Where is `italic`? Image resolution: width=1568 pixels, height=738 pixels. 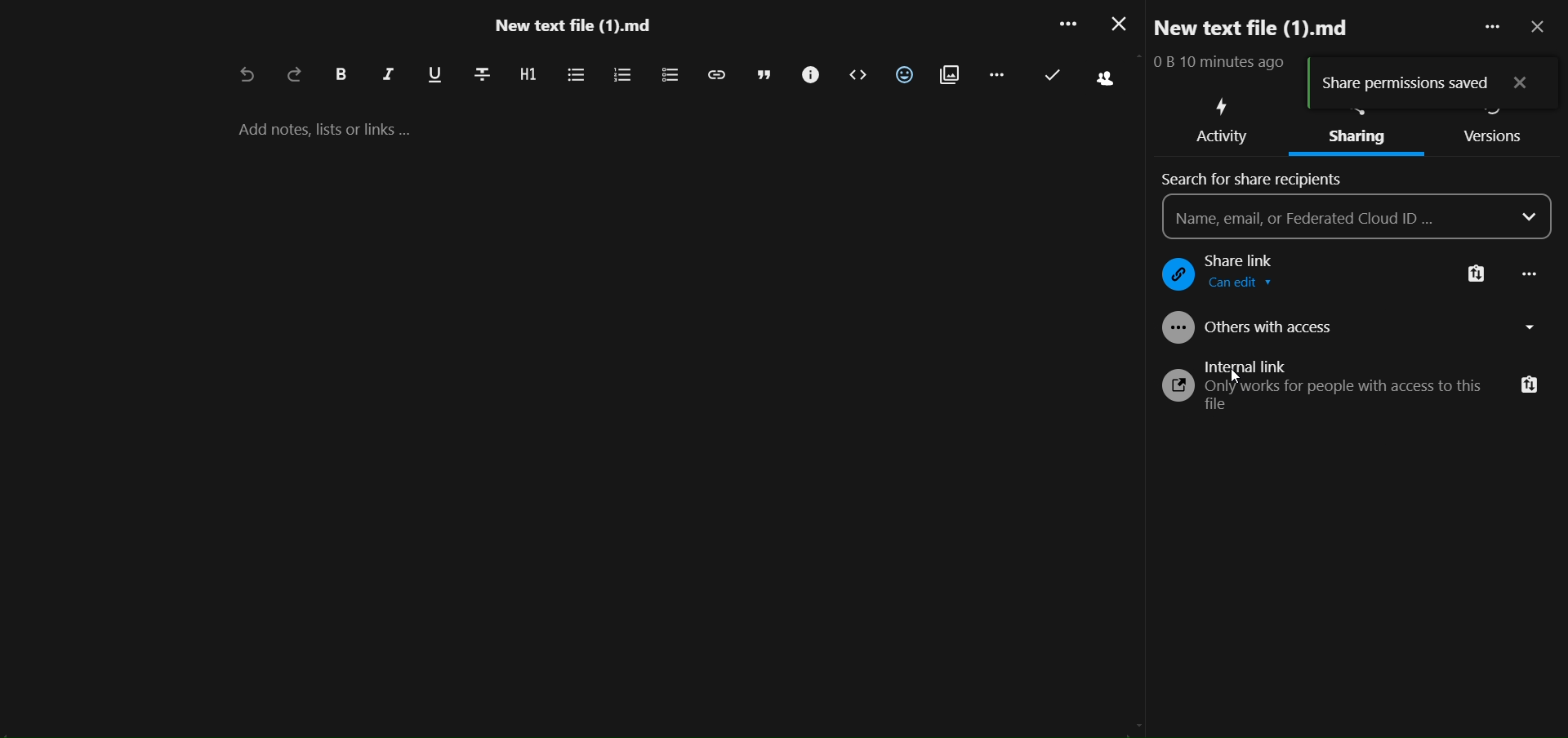
italic is located at coordinates (388, 78).